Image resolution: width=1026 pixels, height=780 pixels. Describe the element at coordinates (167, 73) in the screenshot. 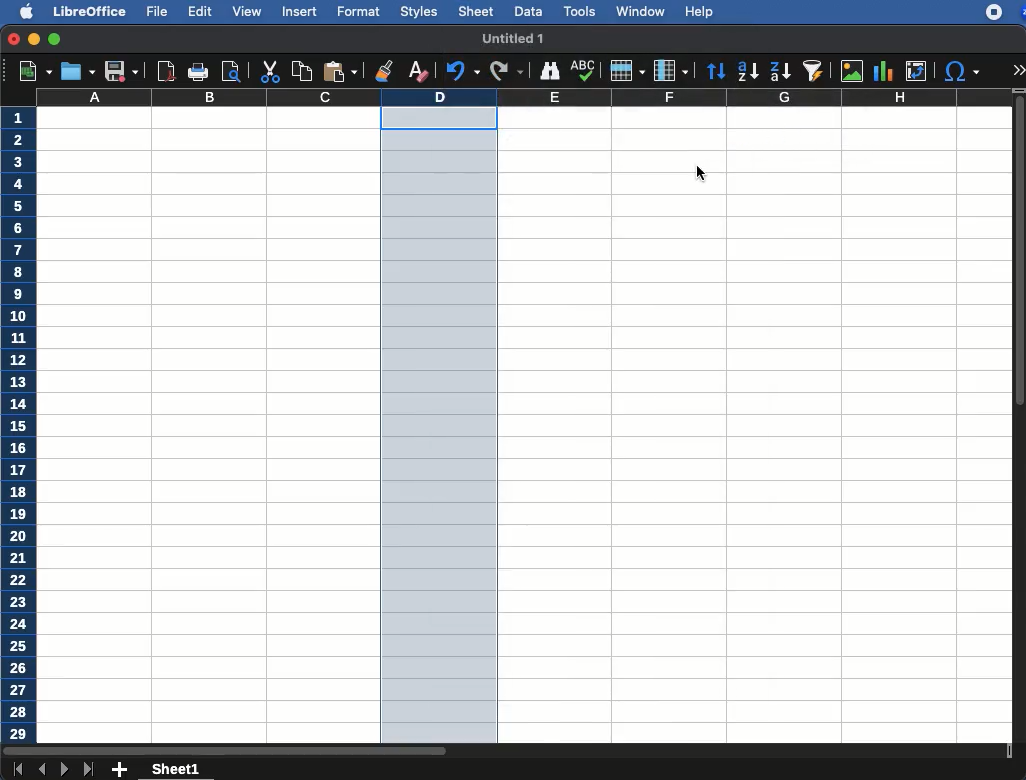

I see `pdf view` at that location.